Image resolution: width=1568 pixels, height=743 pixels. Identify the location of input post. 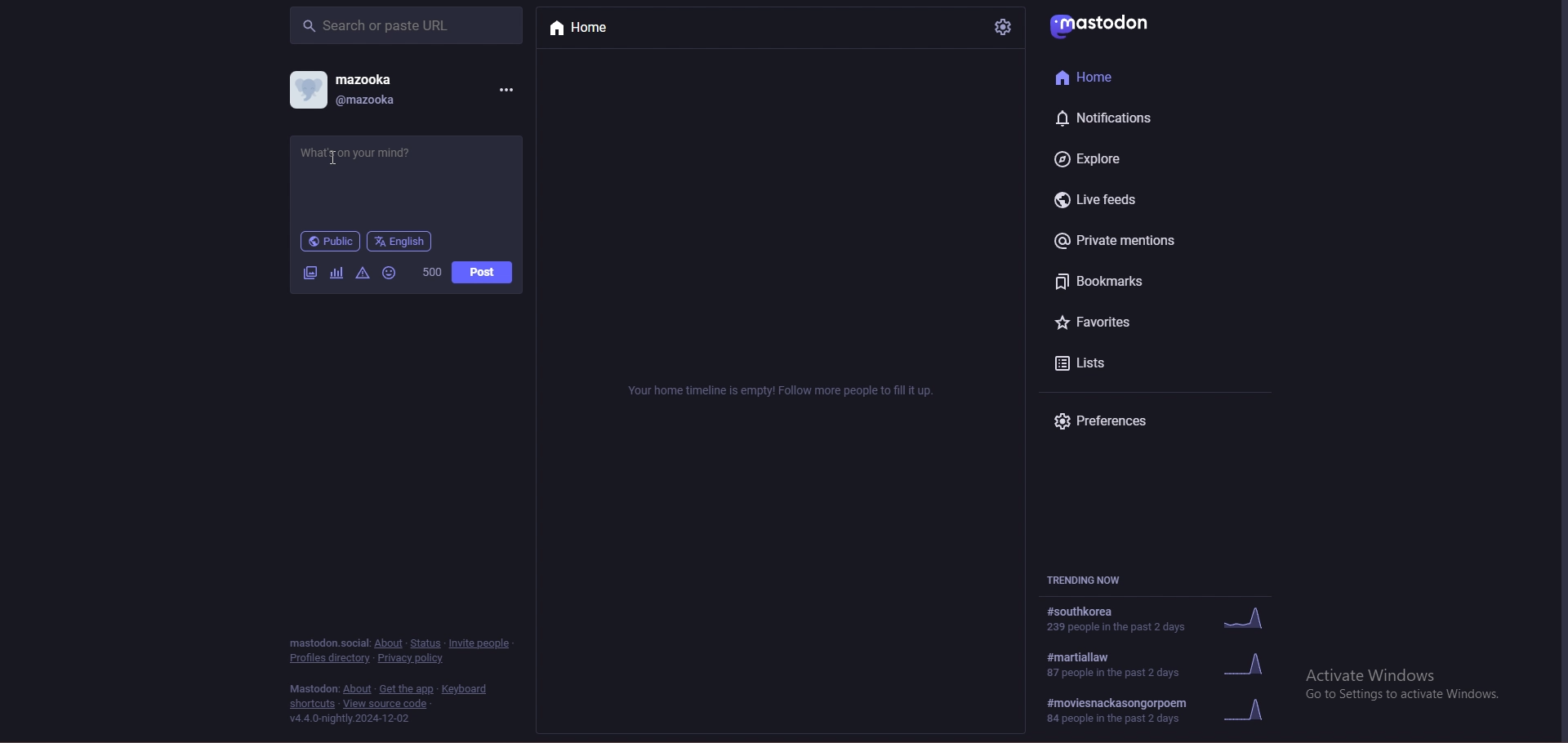
(380, 153).